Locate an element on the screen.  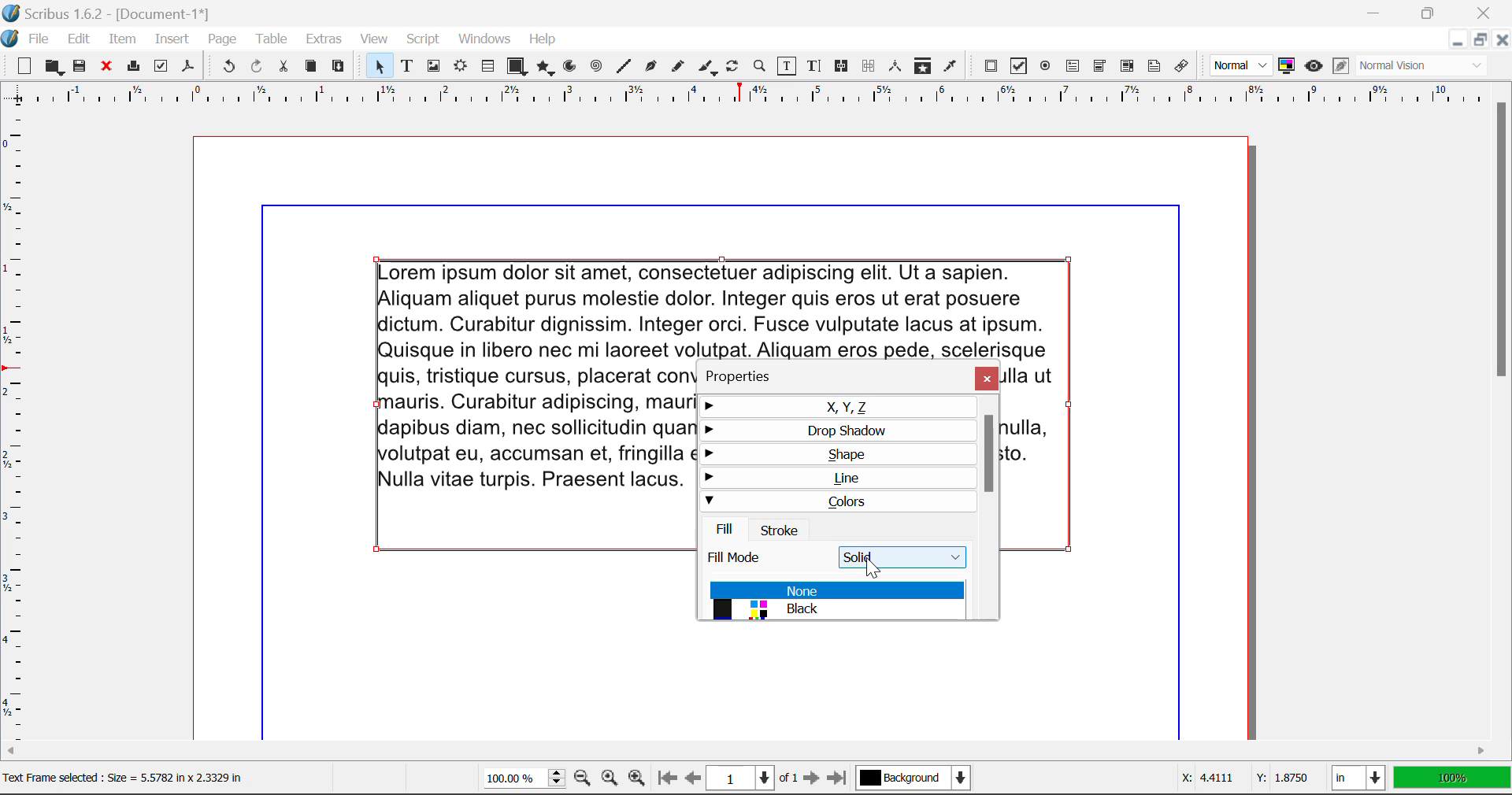
Render Frame is located at coordinates (460, 68).